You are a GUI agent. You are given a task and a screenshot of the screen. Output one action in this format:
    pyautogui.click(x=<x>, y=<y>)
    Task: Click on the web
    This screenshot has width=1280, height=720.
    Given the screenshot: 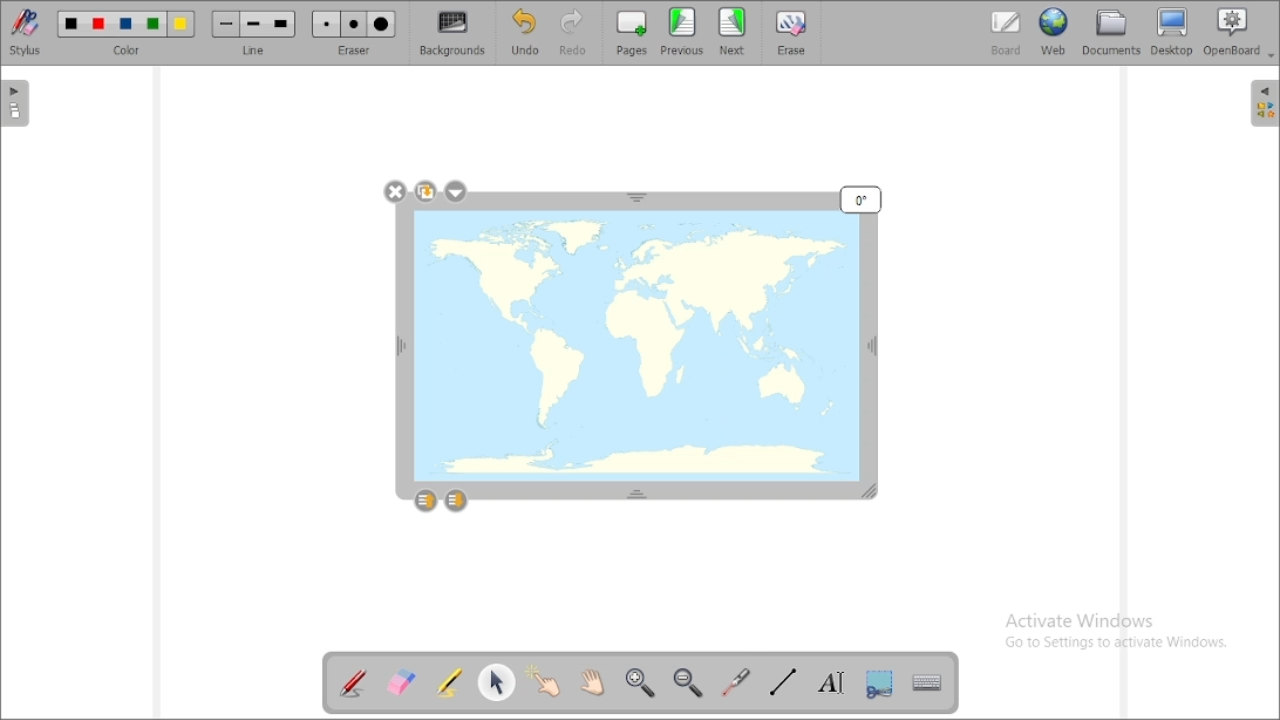 What is the action you would take?
    pyautogui.click(x=1054, y=32)
    